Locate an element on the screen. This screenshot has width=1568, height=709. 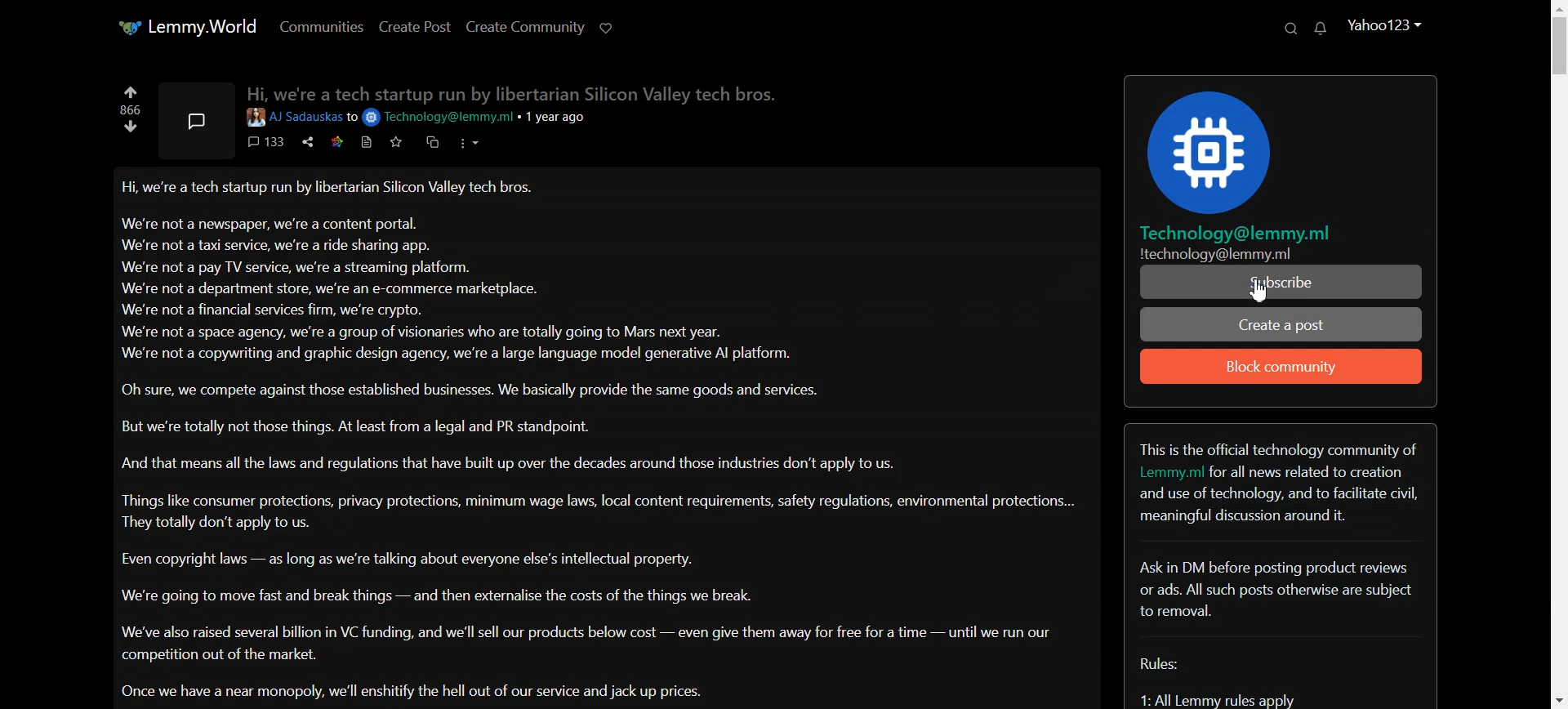
View Source is located at coordinates (366, 142).